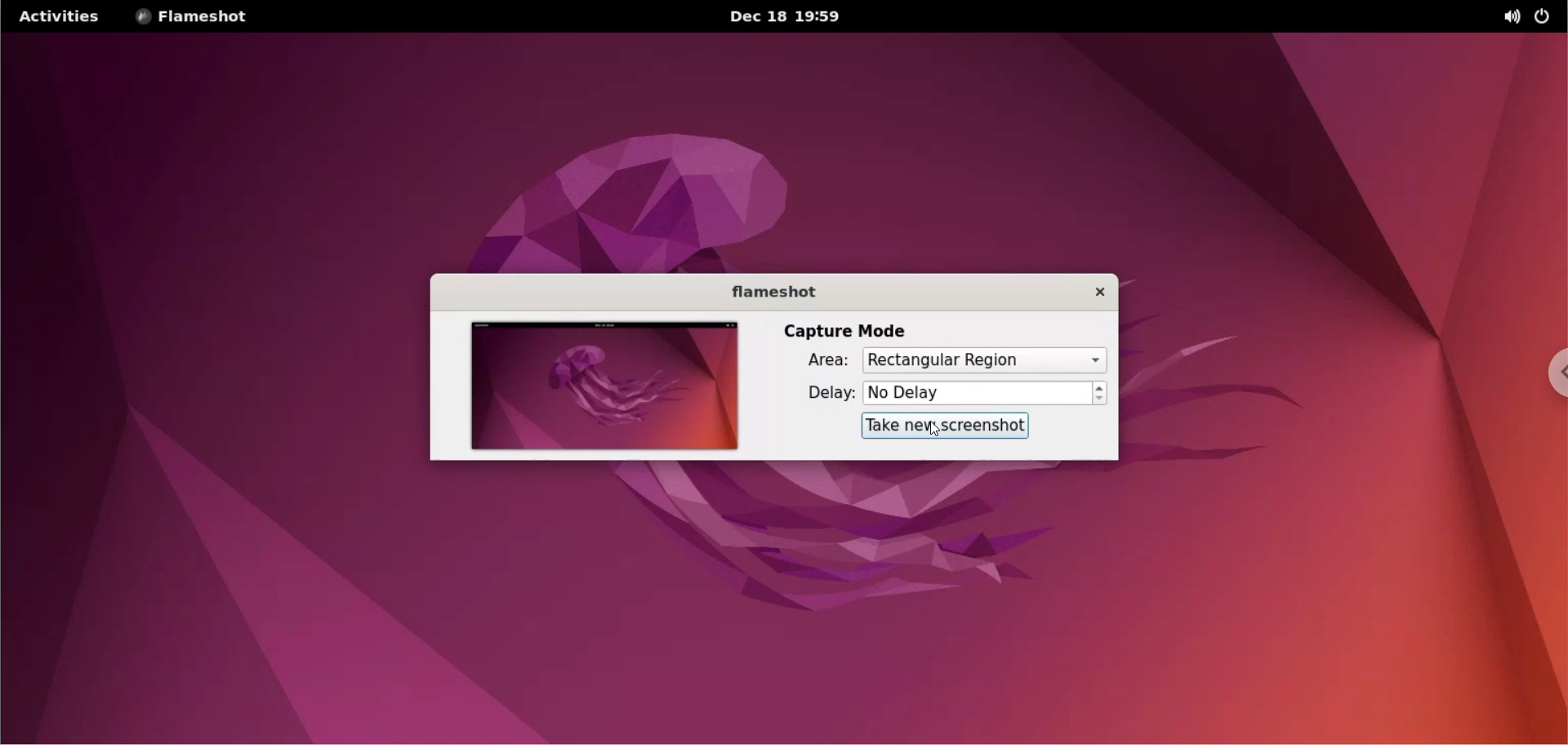 This screenshot has width=1568, height=745. I want to click on increment and decrement delay, so click(1104, 392).